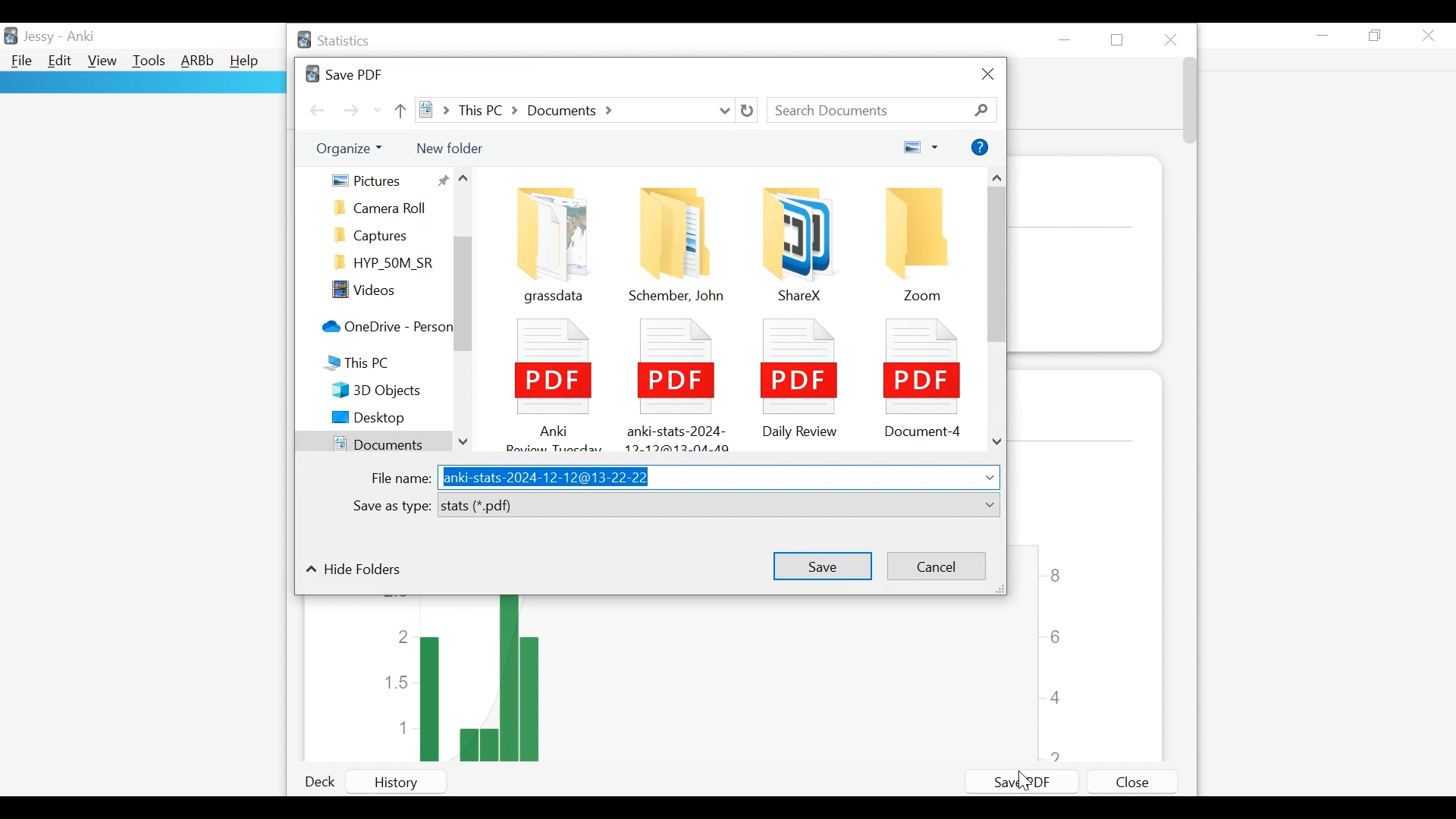 The image size is (1456, 819). What do you see at coordinates (576, 110) in the screenshot?
I see `File Path` at bounding box center [576, 110].